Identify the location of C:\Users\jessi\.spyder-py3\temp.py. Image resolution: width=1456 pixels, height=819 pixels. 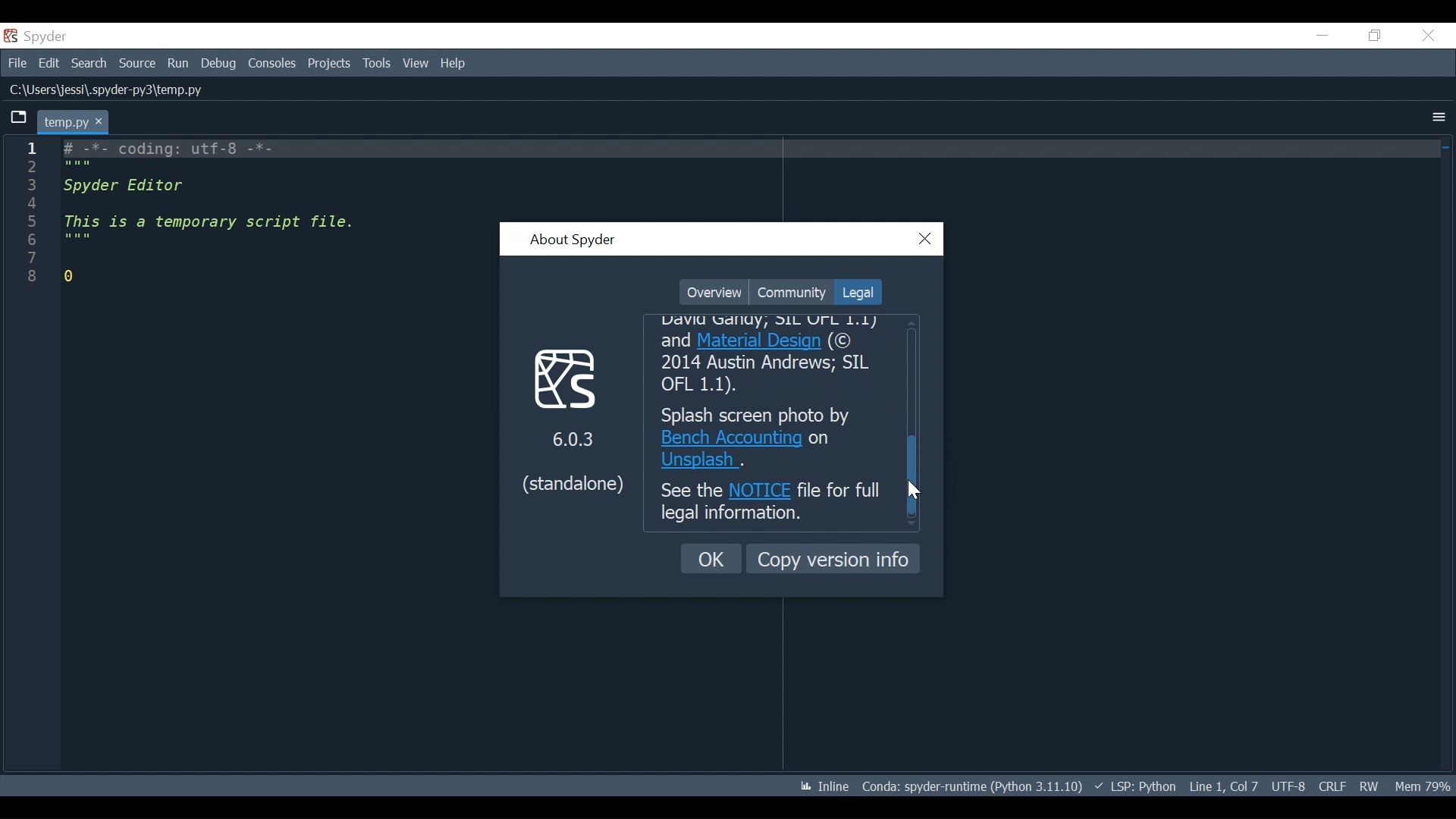
(130, 89).